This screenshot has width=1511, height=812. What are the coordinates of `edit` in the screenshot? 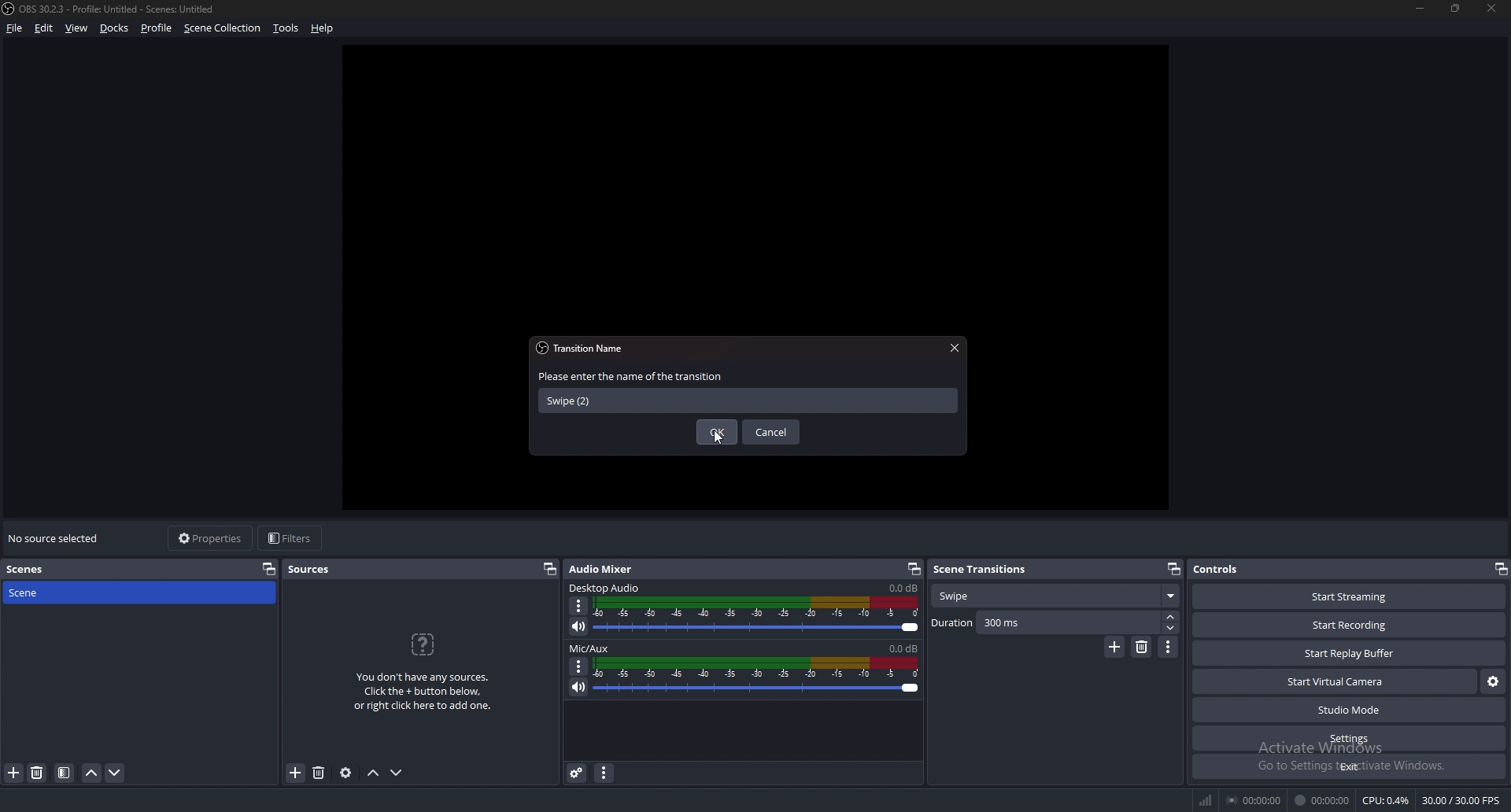 It's located at (45, 28).